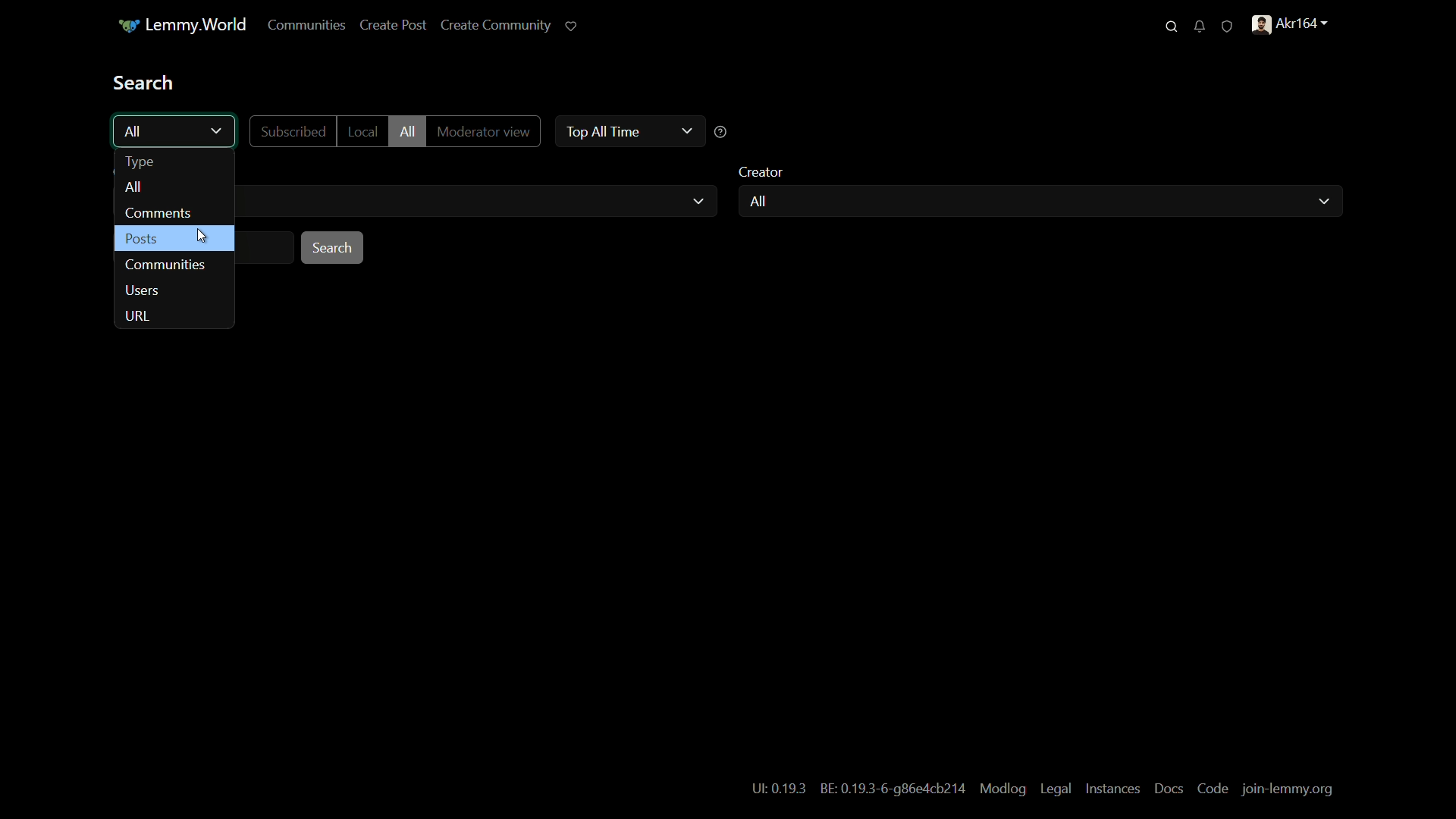  What do you see at coordinates (133, 188) in the screenshot?
I see `all` at bounding box center [133, 188].